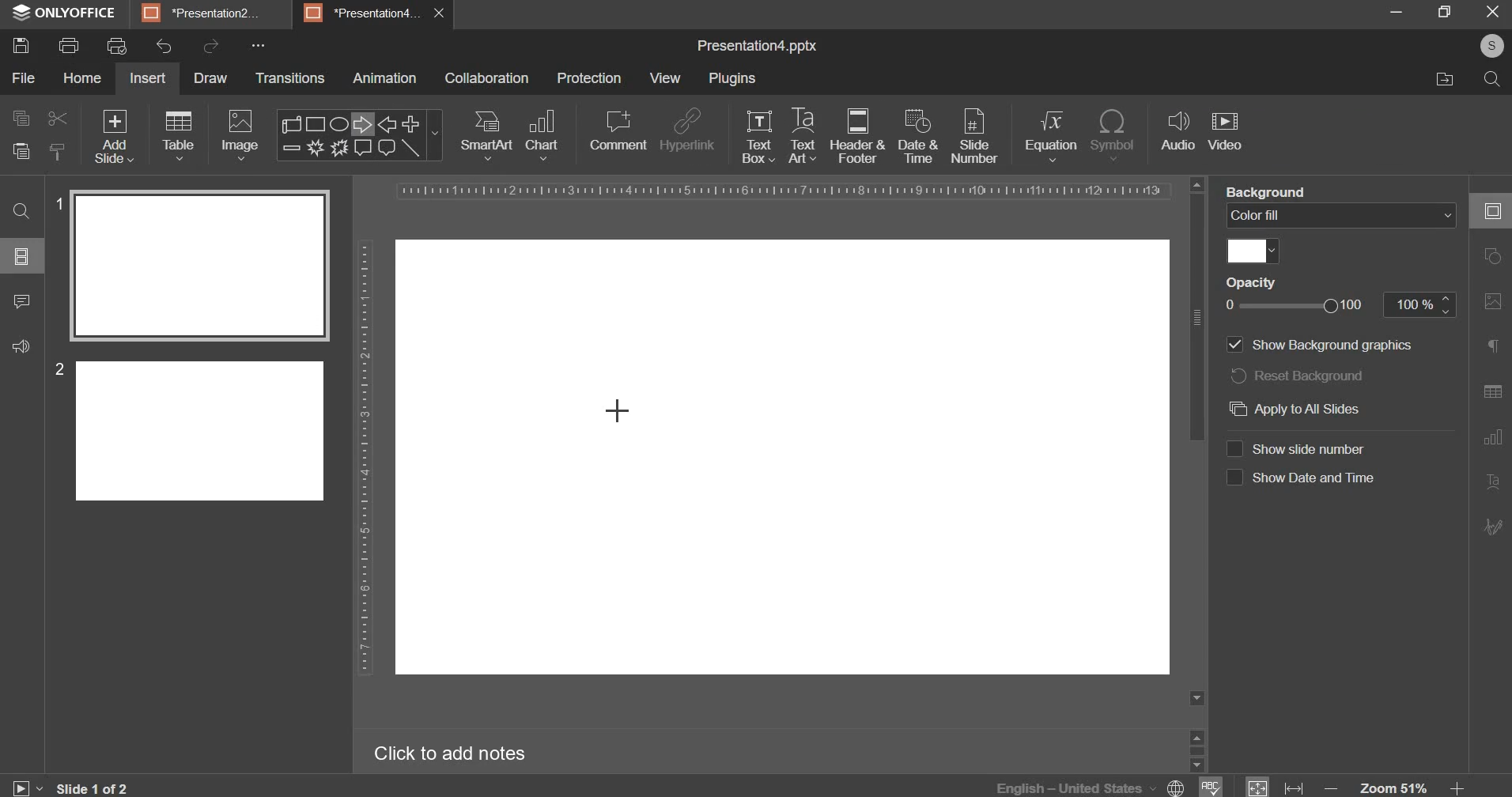  Describe the element at coordinates (1209, 780) in the screenshot. I see `spelling` at that location.